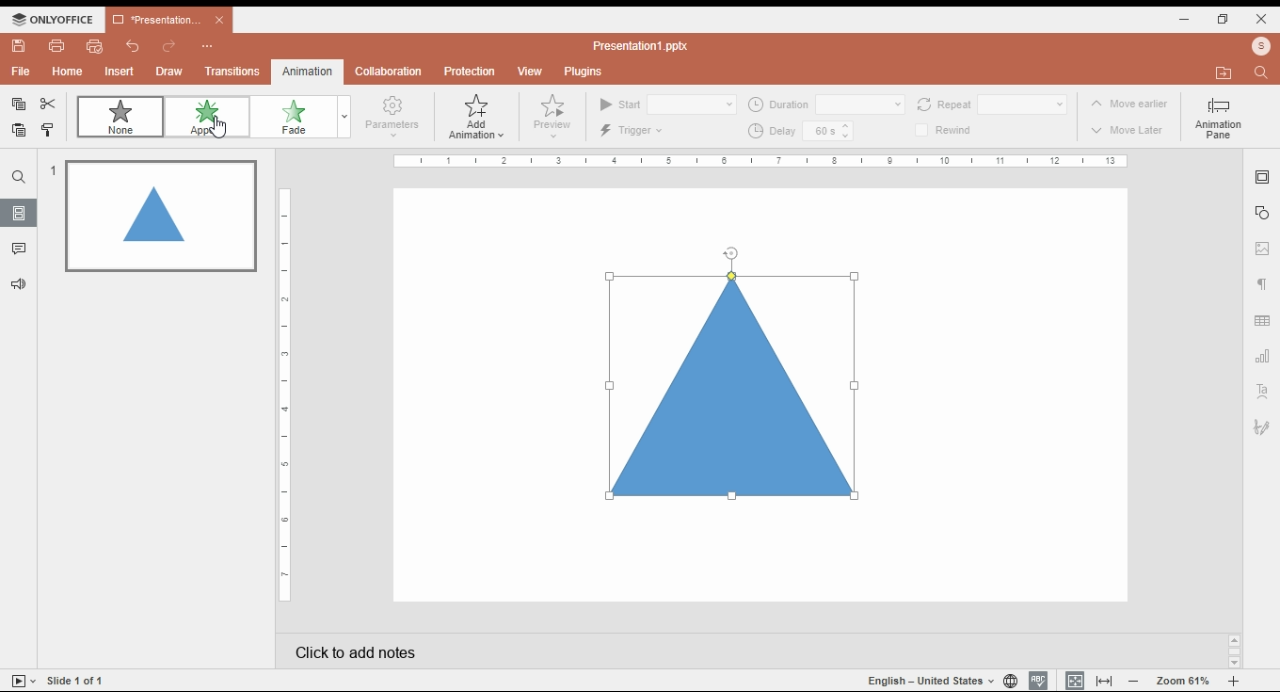  What do you see at coordinates (692, 103) in the screenshot?
I see `input start time` at bounding box center [692, 103].